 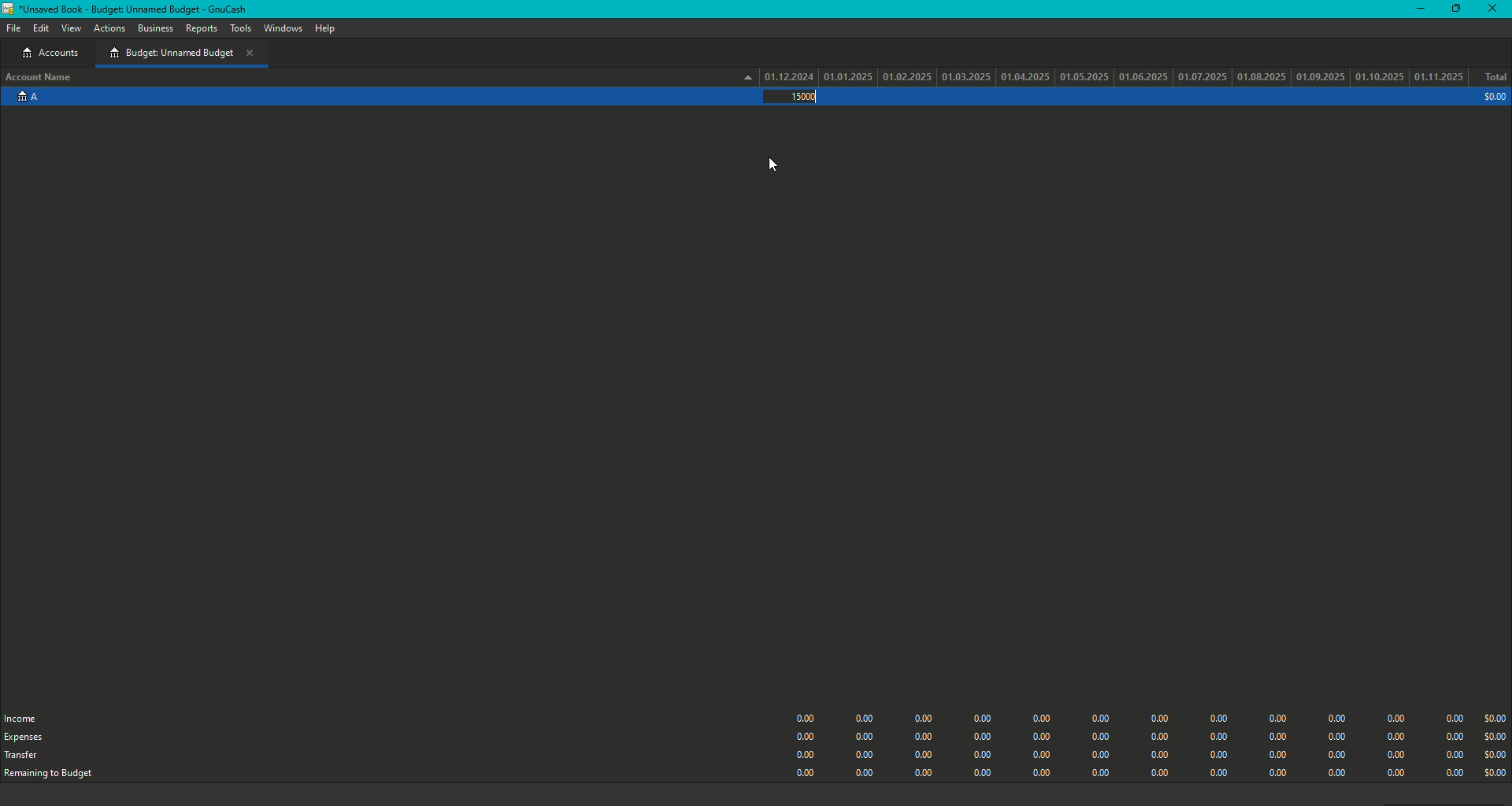 What do you see at coordinates (240, 28) in the screenshot?
I see `Tools` at bounding box center [240, 28].